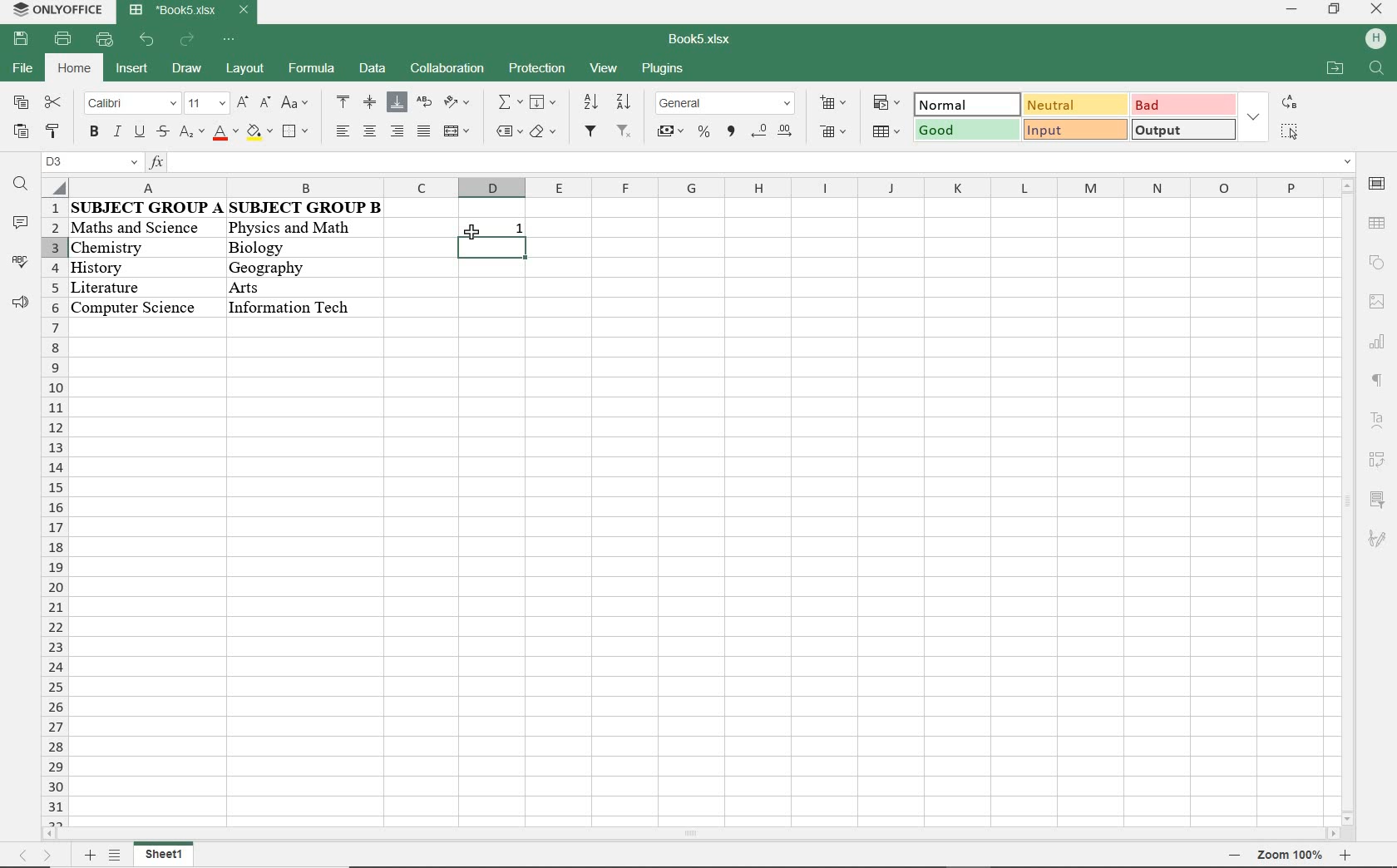 The height and width of the screenshot is (868, 1397). What do you see at coordinates (289, 249) in the screenshot?
I see `biology` at bounding box center [289, 249].